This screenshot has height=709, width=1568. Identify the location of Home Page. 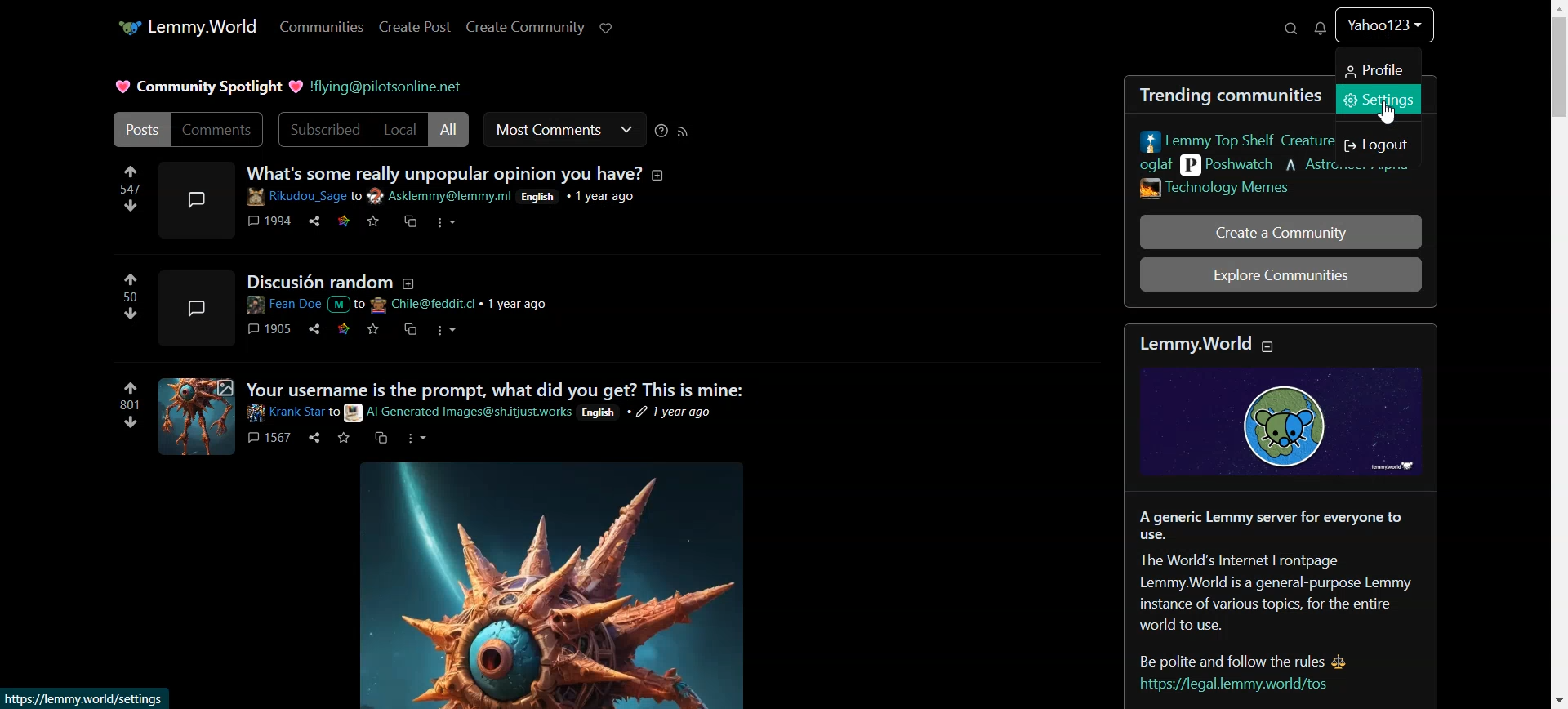
(185, 26).